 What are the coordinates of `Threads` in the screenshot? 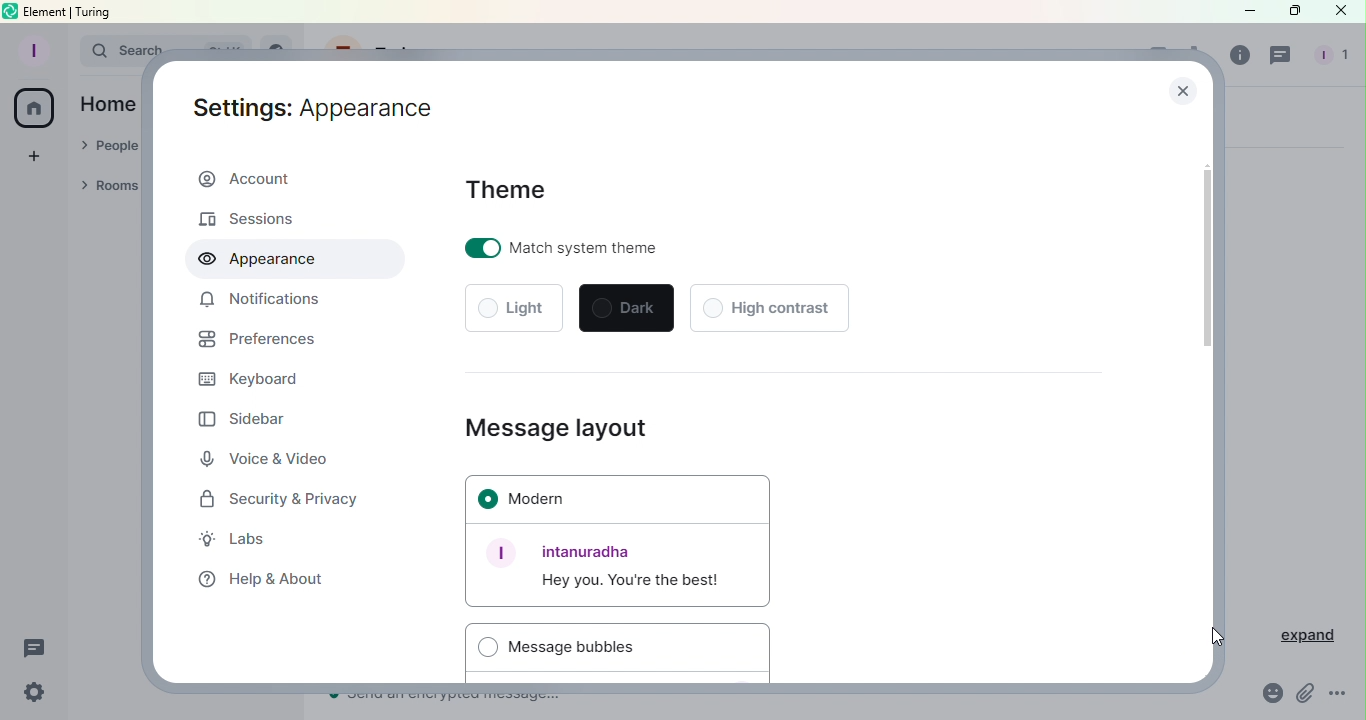 It's located at (35, 649).